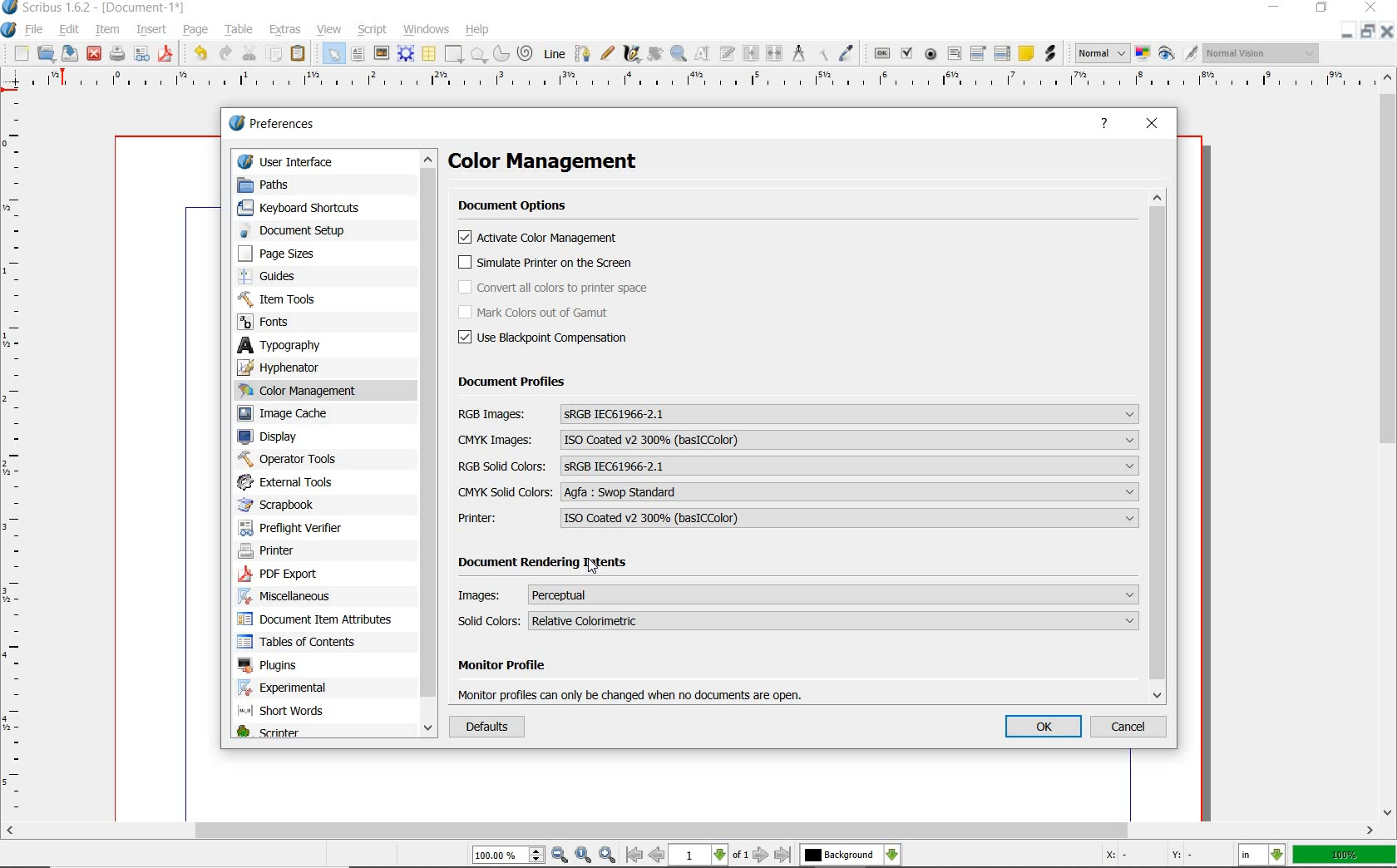 The width and height of the screenshot is (1397, 868). What do you see at coordinates (200, 53) in the screenshot?
I see `undo` at bounding box center [200, 53].